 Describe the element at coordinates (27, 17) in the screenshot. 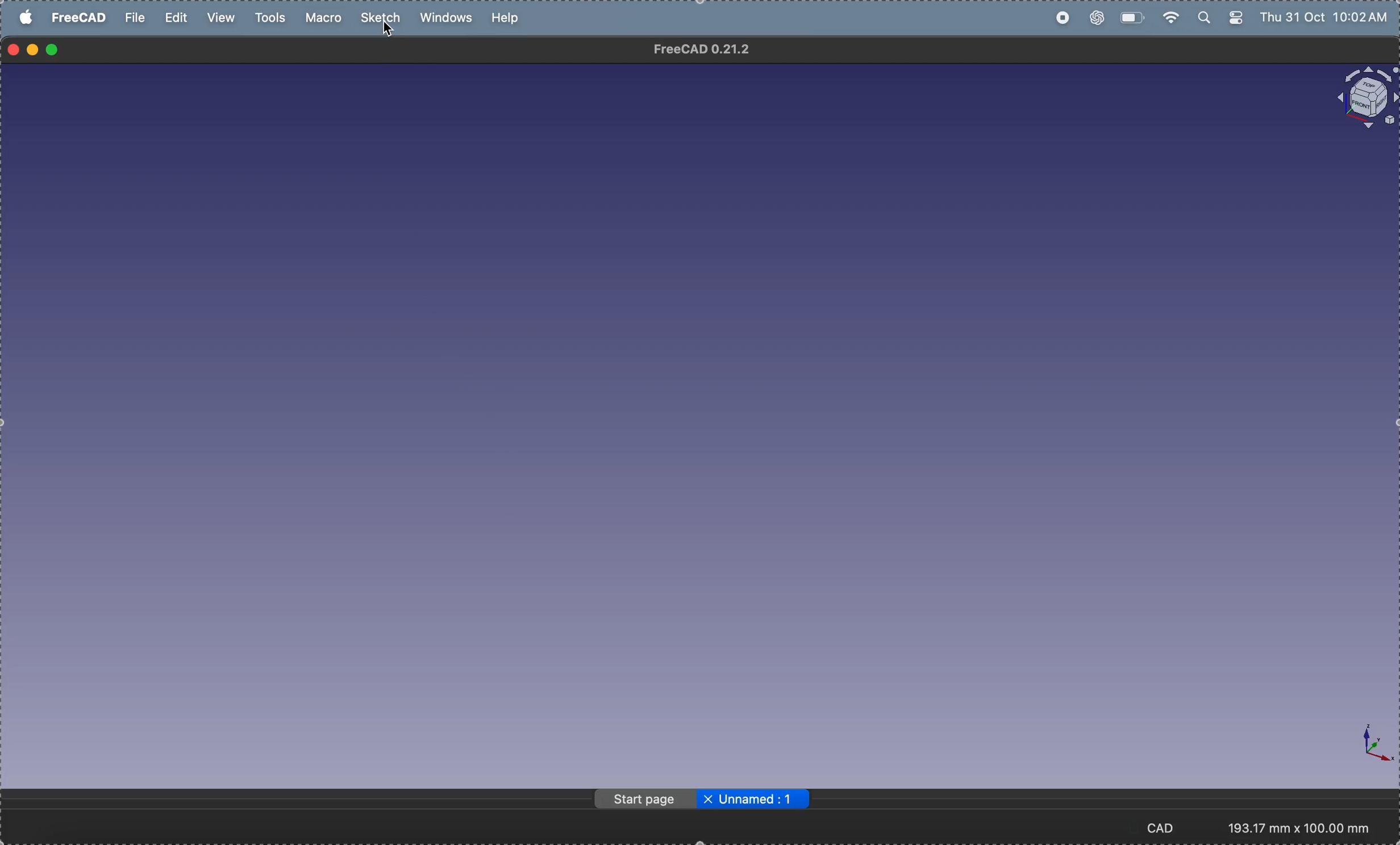

I see `apple menu` at that location.